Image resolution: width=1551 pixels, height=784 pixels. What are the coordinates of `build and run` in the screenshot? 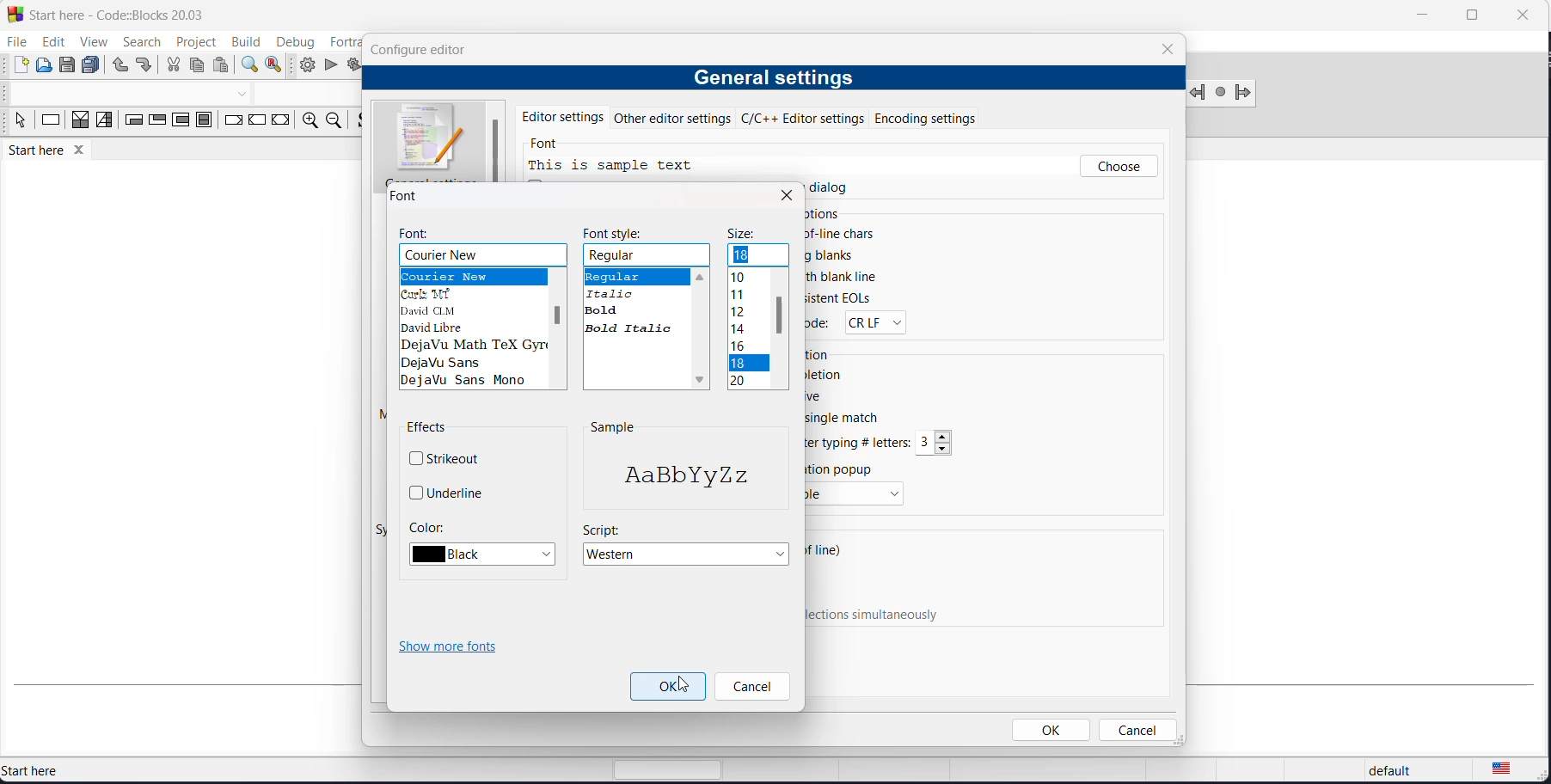 It's located at (352, 66).